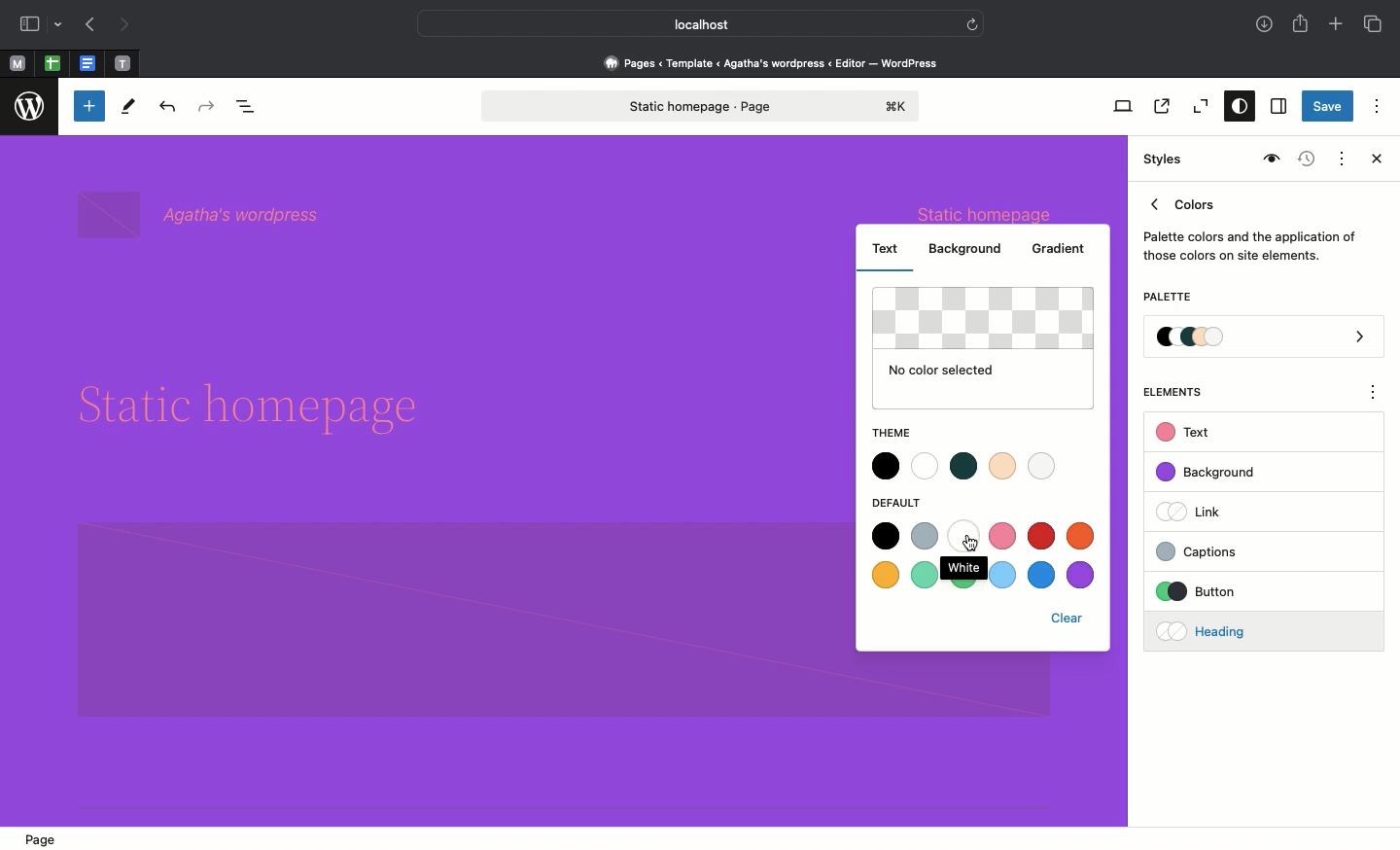  What do you see at coordinates (124, 25) in the screenshot?
I see `Next page` at bounding box center [124, 25].